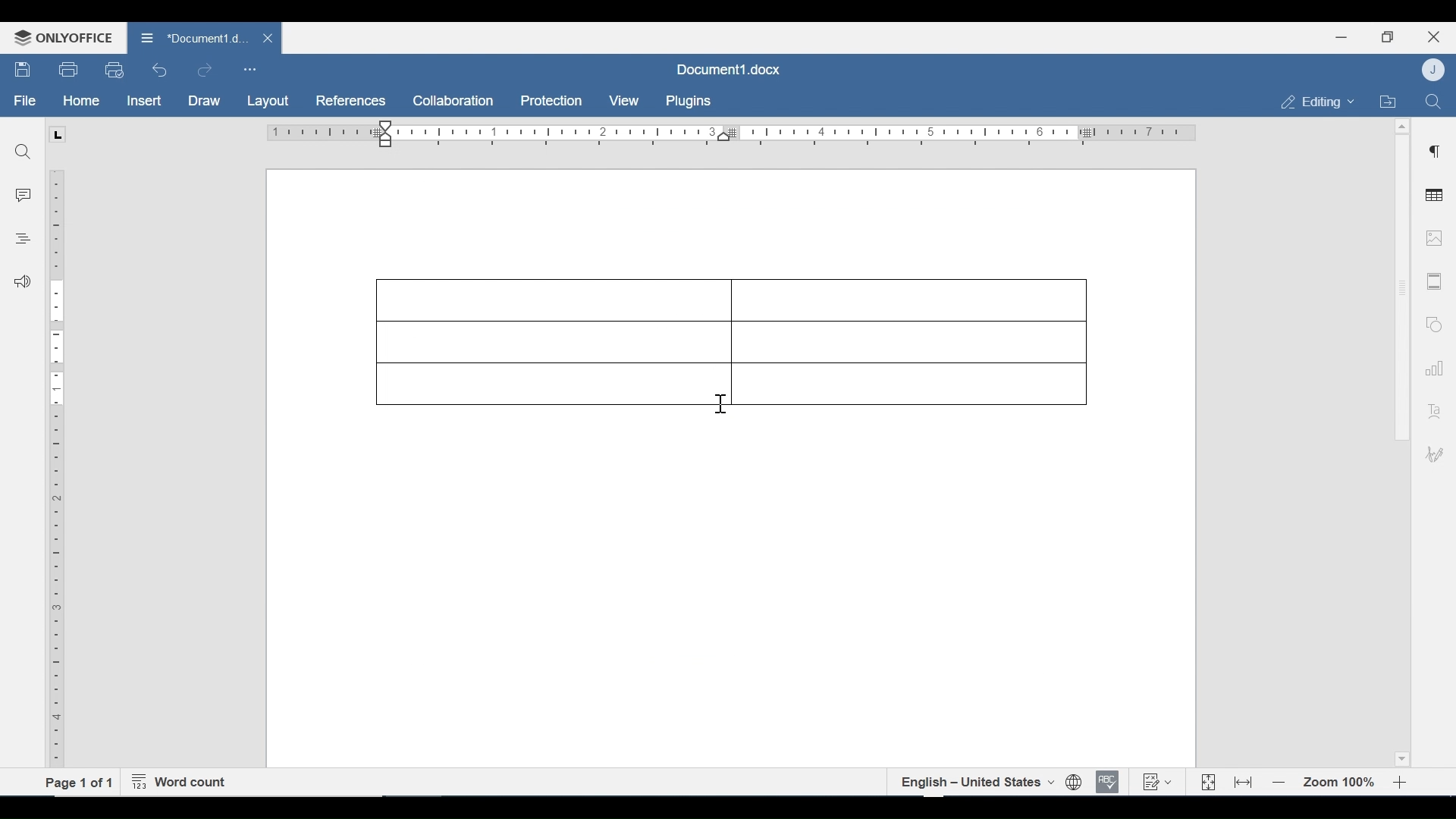 The height and width of the screenshot is (819, 1456). What do you see at coordinates (143, 101) in the screenshot?
I see `Insert` at bounding box center [143, 101].